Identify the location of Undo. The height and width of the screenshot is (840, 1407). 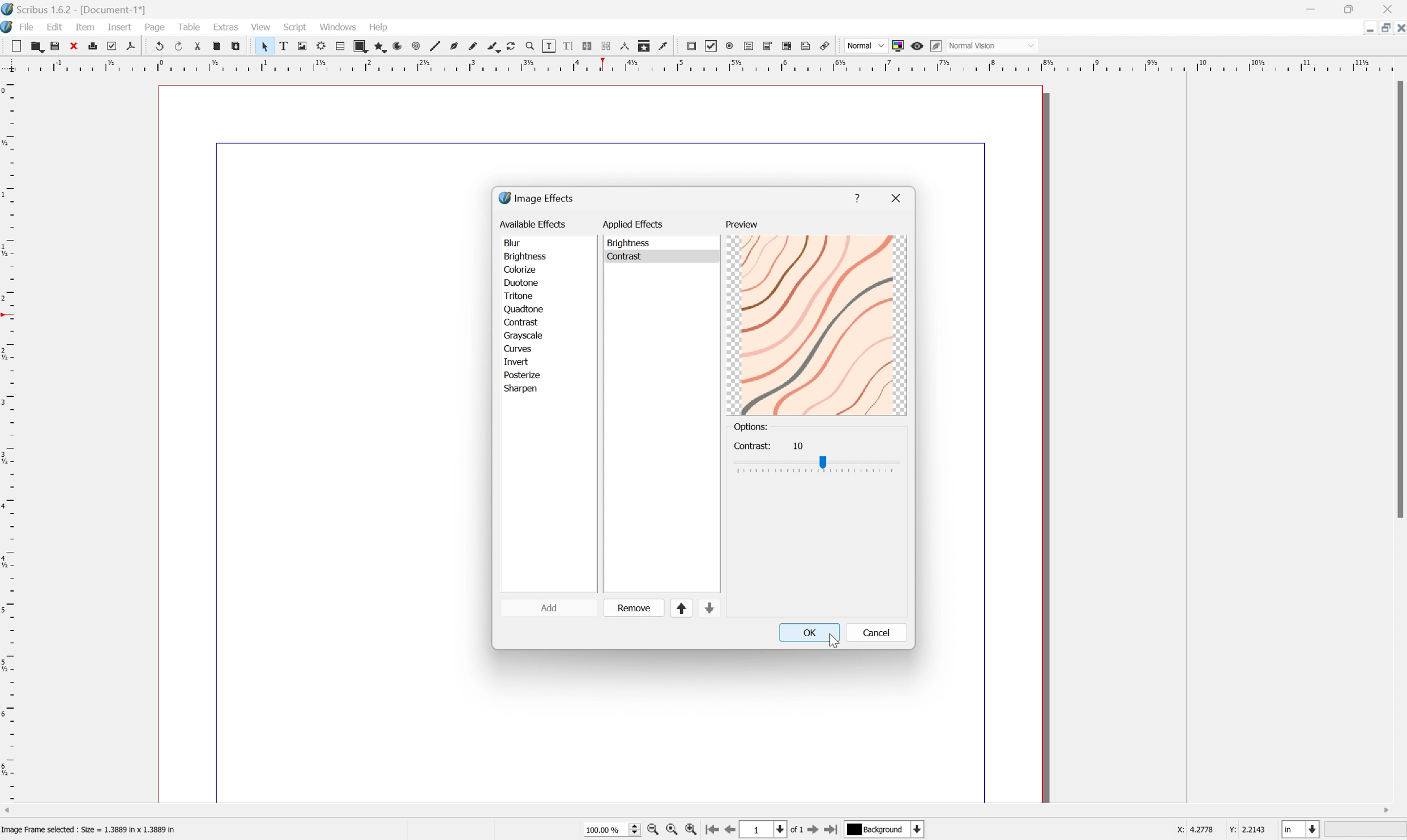
(158, 46).